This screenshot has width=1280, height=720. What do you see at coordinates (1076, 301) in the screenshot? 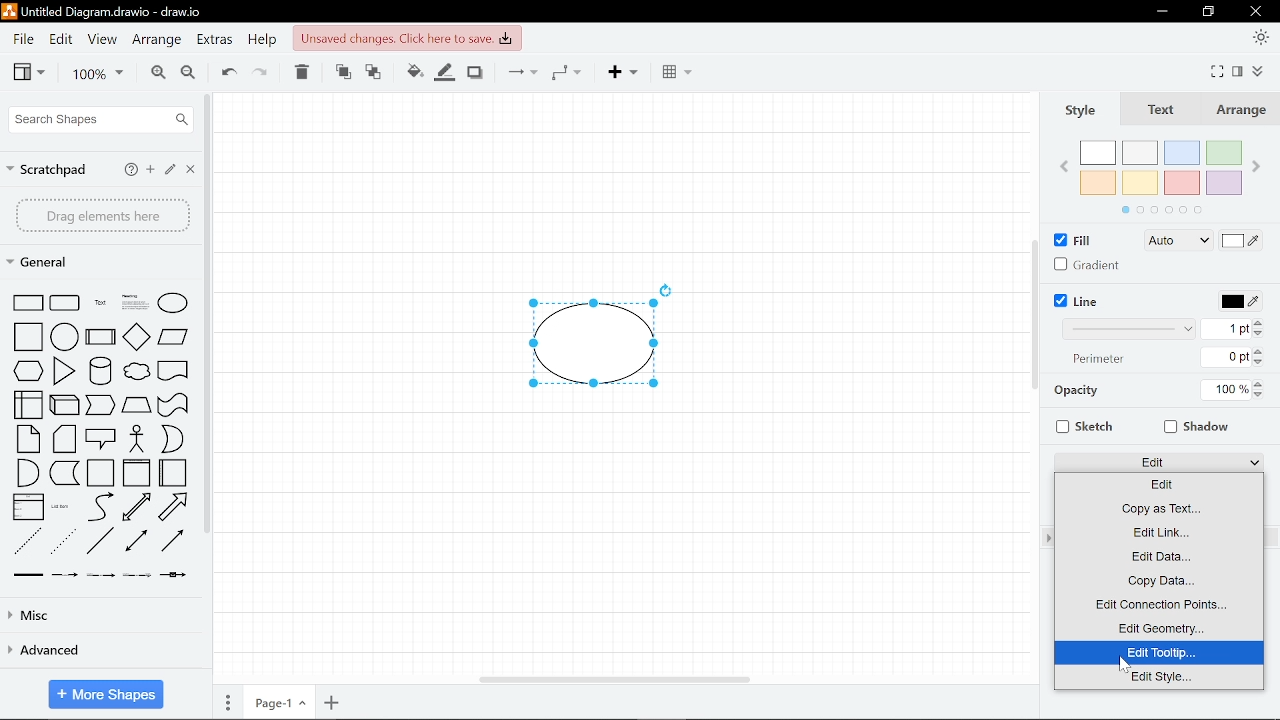
I see `Line` at bounding box center [1076, 301].